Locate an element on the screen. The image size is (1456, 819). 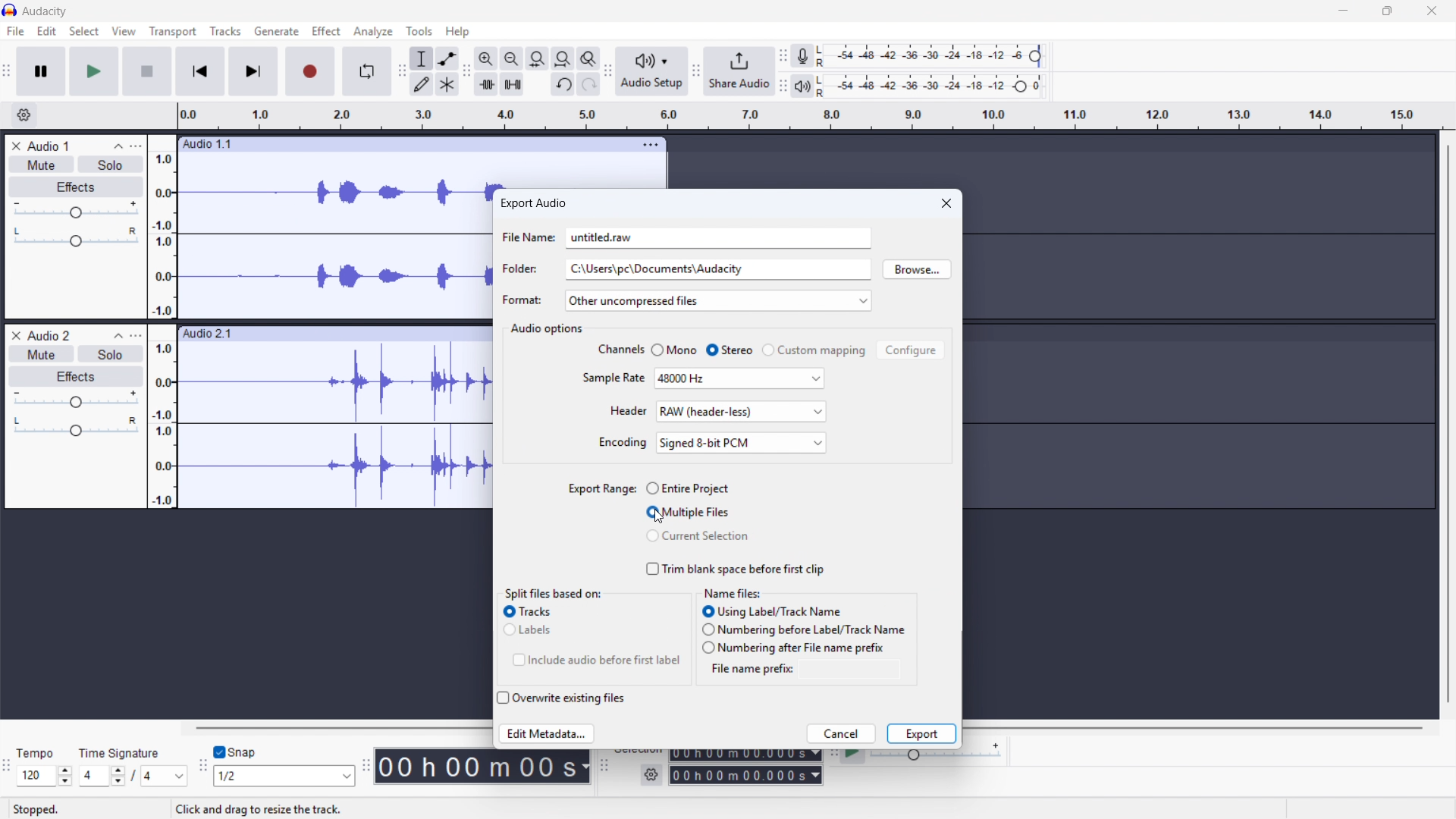
Selection toolbar  is located at coordinates (606, 773).